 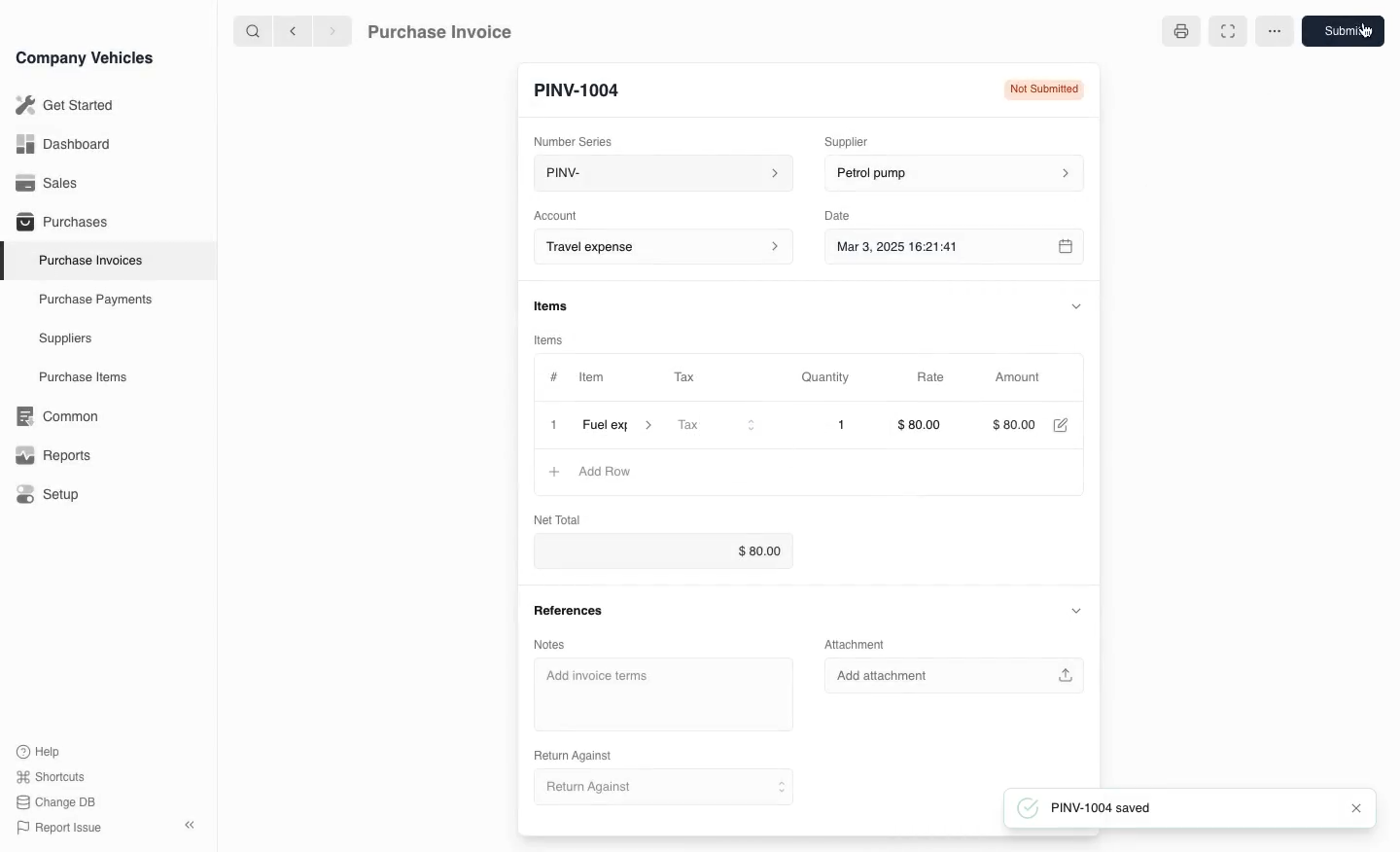 I want to click on Purchase Invoices, so click(x=87, y=260).